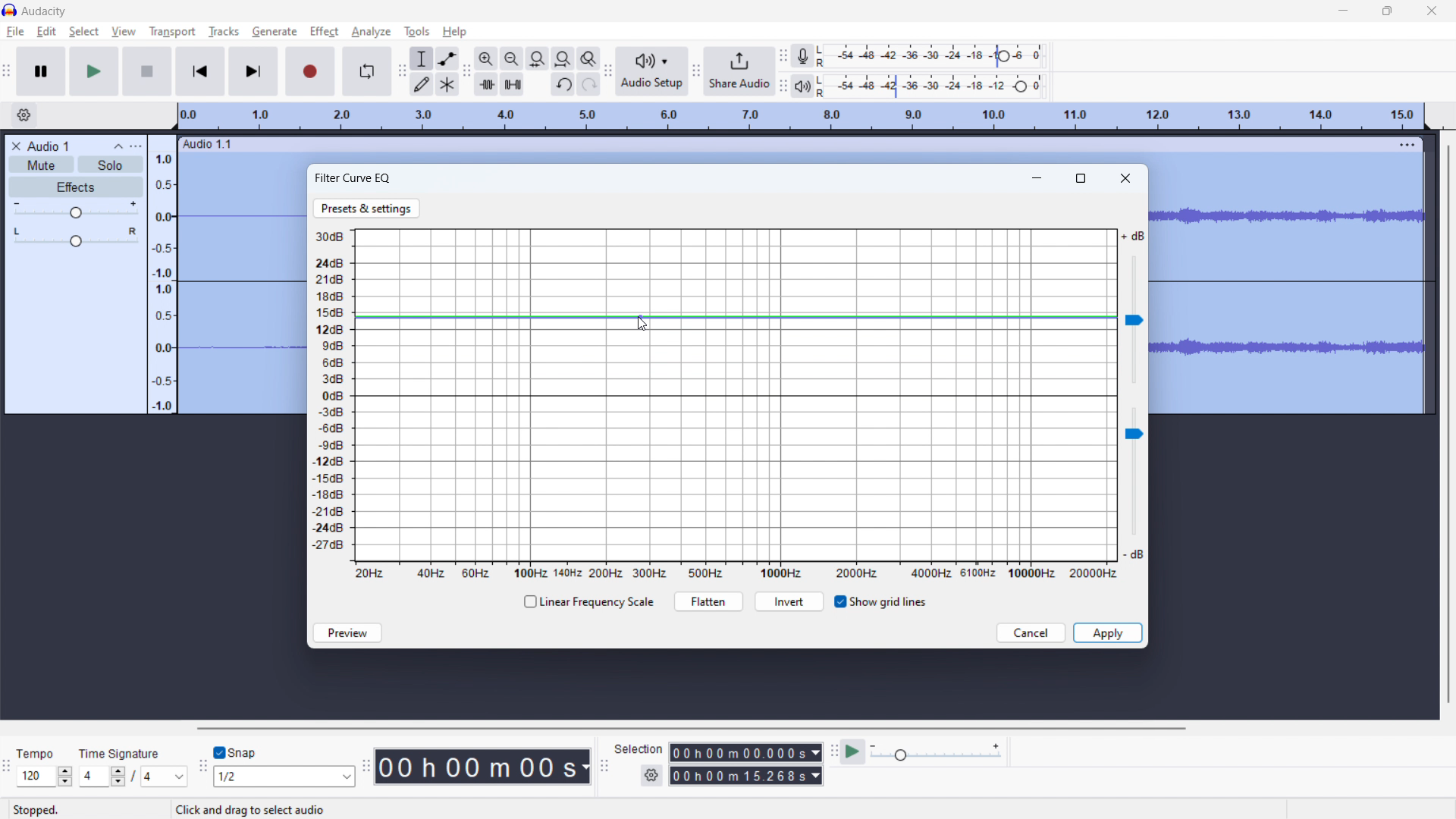 The image size is (1456, 819). I want to click on enable looping, so click(367, 71).